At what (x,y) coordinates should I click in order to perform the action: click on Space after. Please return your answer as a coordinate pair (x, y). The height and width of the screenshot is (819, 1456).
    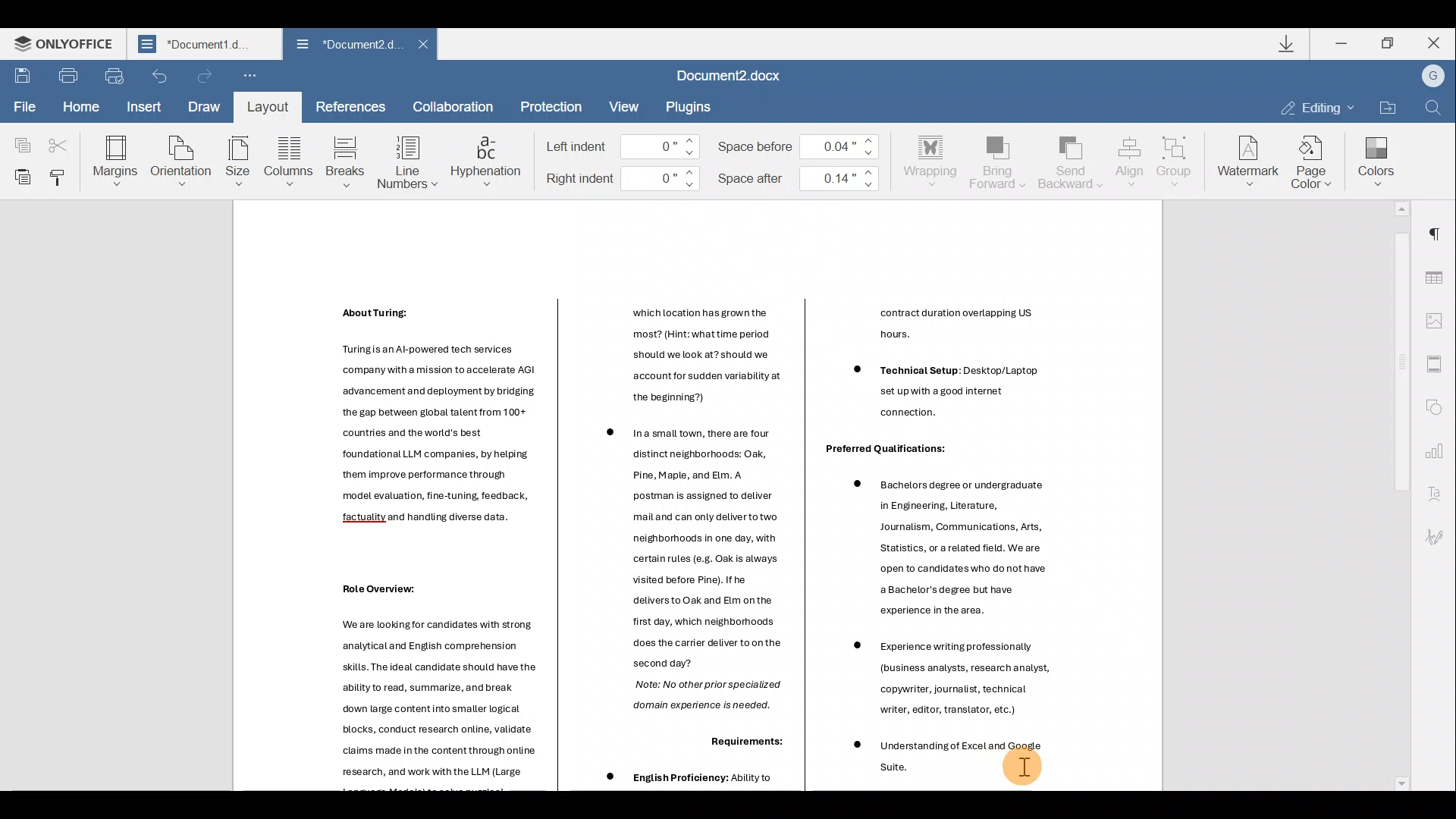
    Looking at the image, I should click on (801, 175).